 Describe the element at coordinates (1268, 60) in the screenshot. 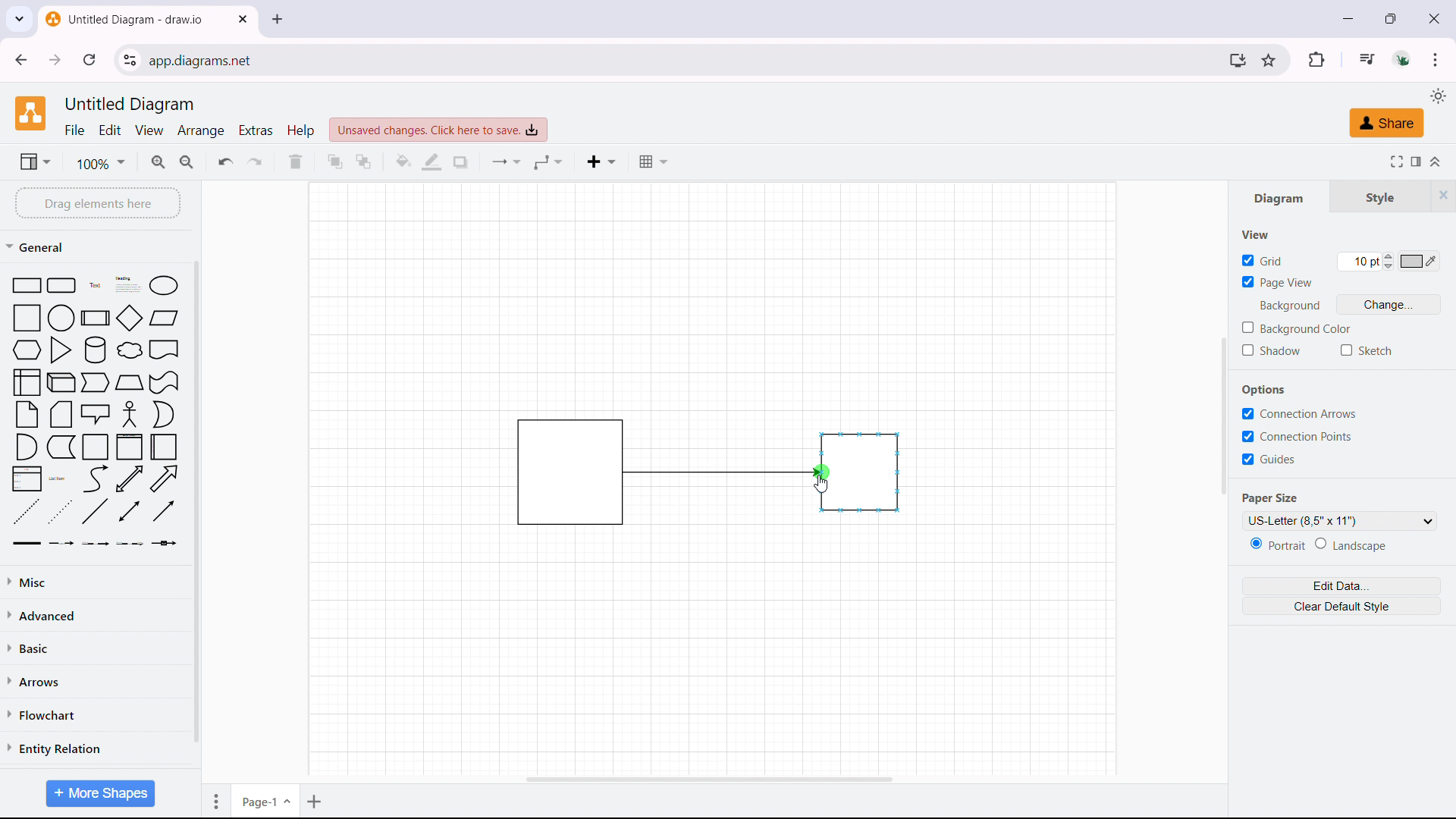

I see `bookmark this tab` at that location.